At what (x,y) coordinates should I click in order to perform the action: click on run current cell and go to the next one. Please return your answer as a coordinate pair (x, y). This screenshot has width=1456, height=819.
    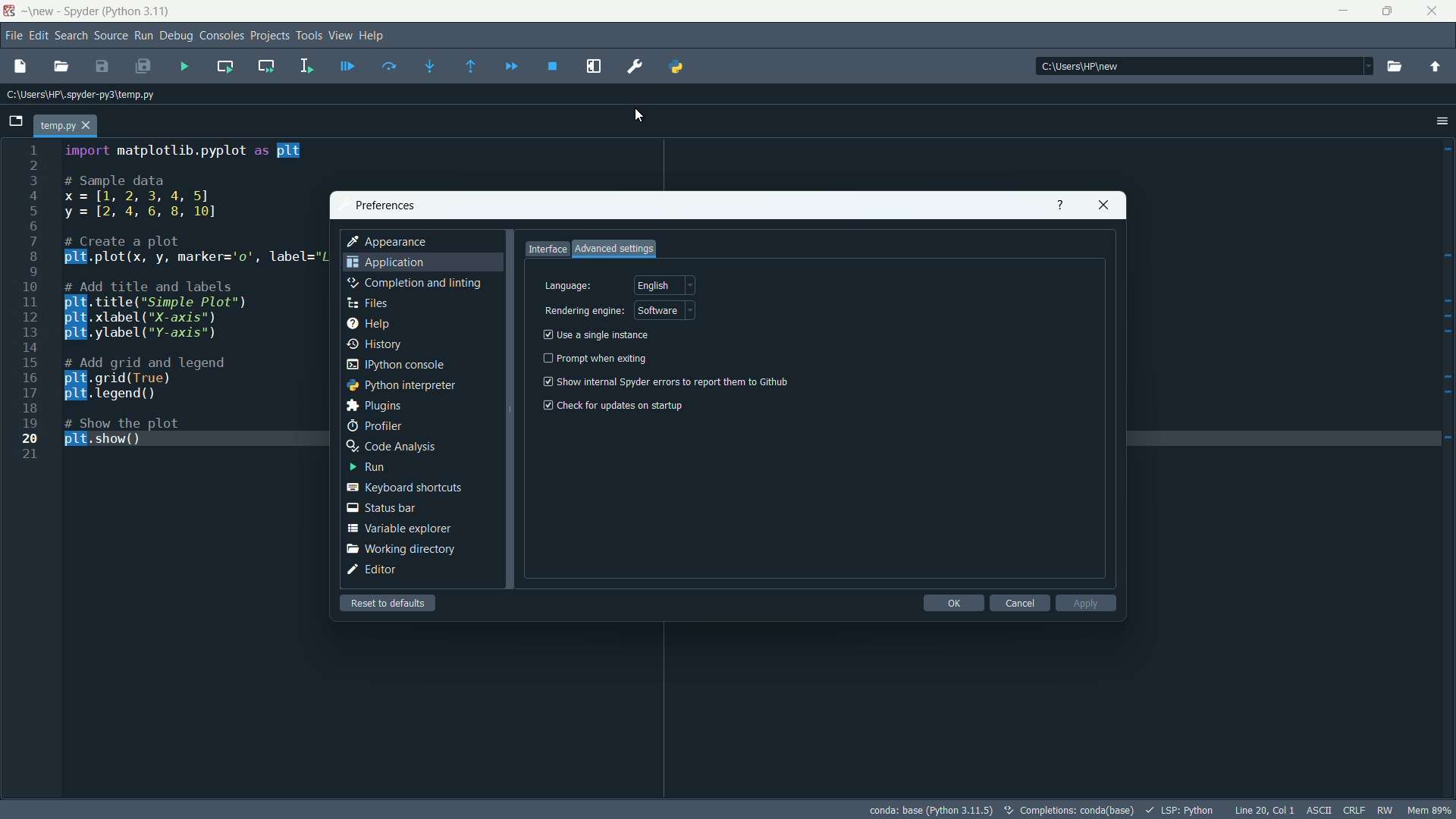
    Looking at the image, I should click on (267, 65).